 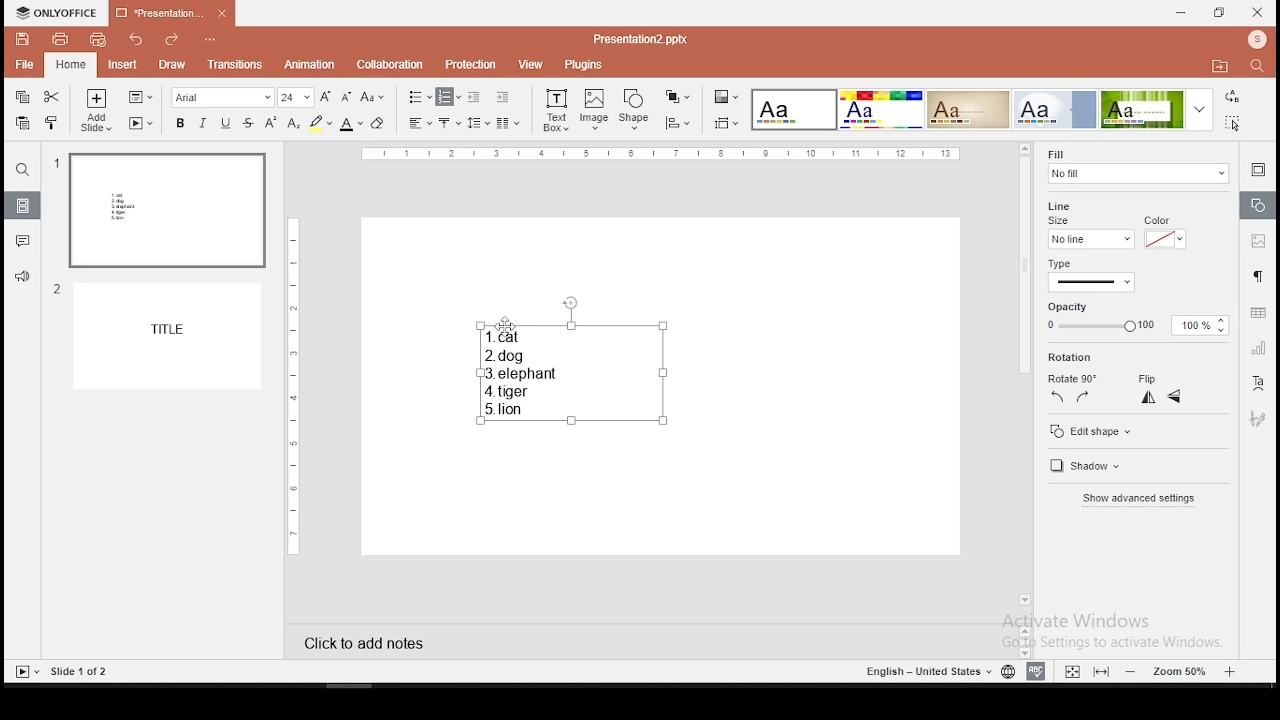 I want to click on theme, so click(x=967, y=110).